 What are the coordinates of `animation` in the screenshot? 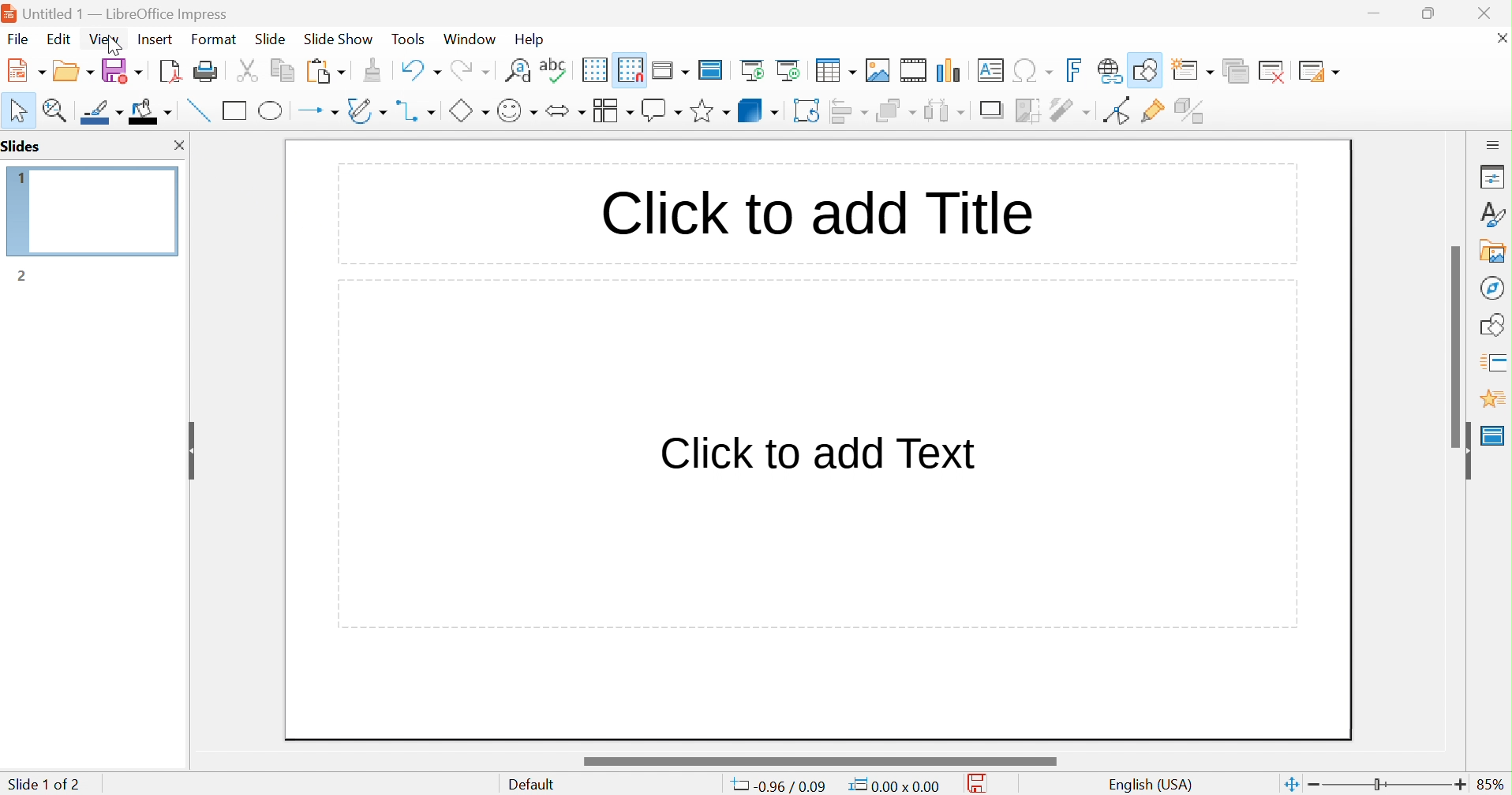 It's located at (1492, 399).